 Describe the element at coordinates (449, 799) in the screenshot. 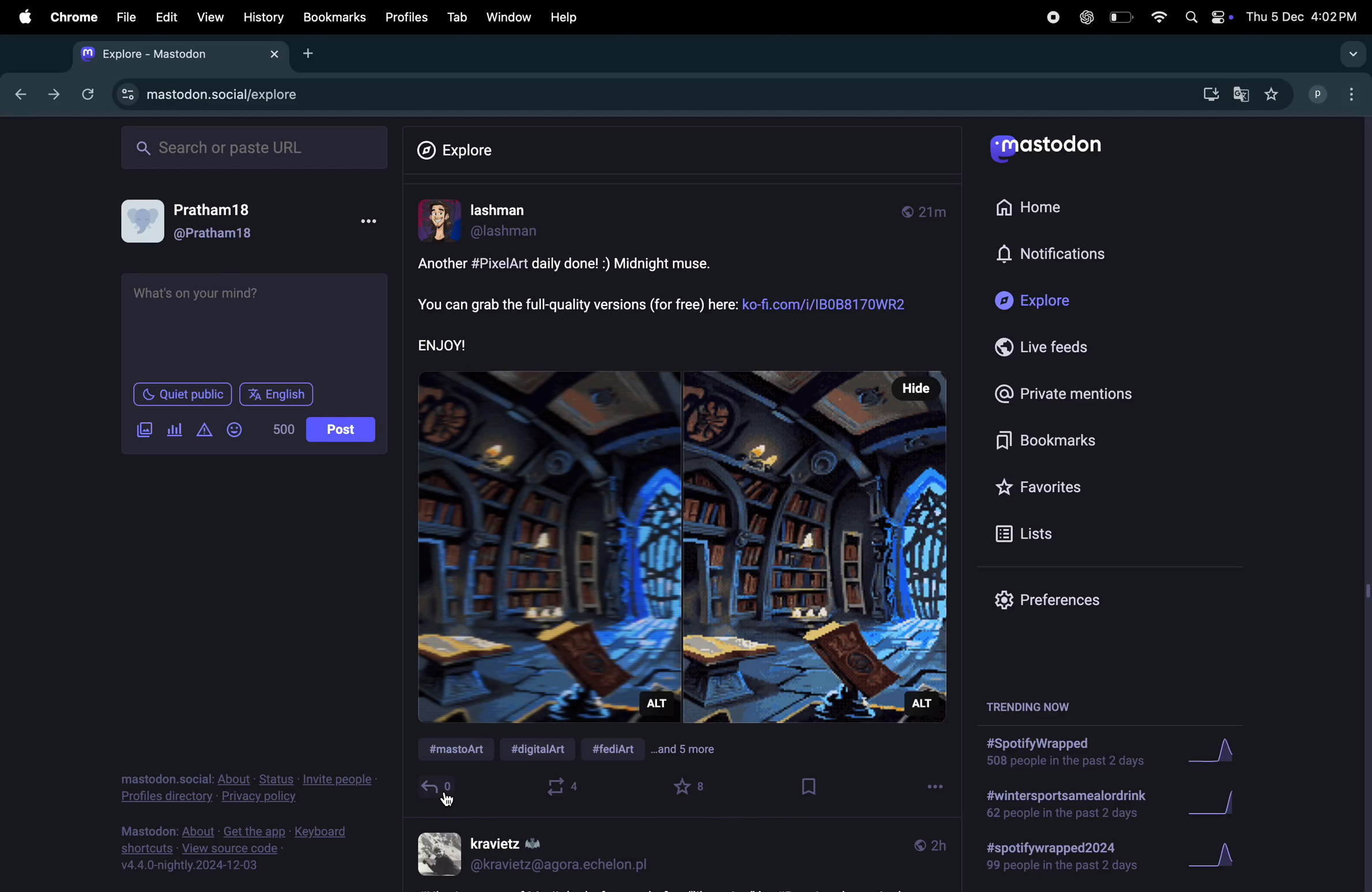

I see `Cursor` at that location.